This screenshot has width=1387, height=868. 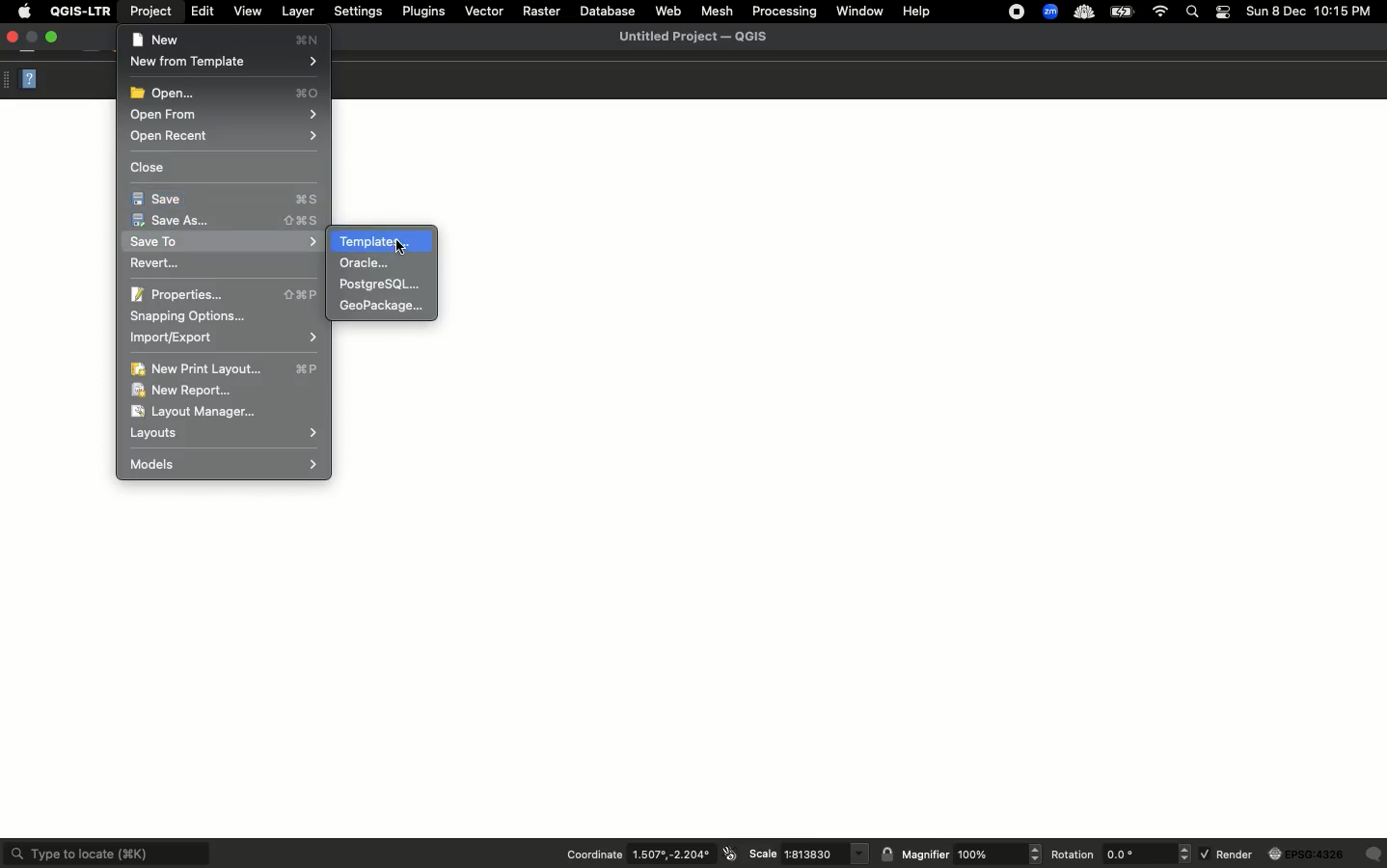 What do you see at coordinates (1374, 854) in the screenshot?
I see `` at bounding box center [1374, 854].